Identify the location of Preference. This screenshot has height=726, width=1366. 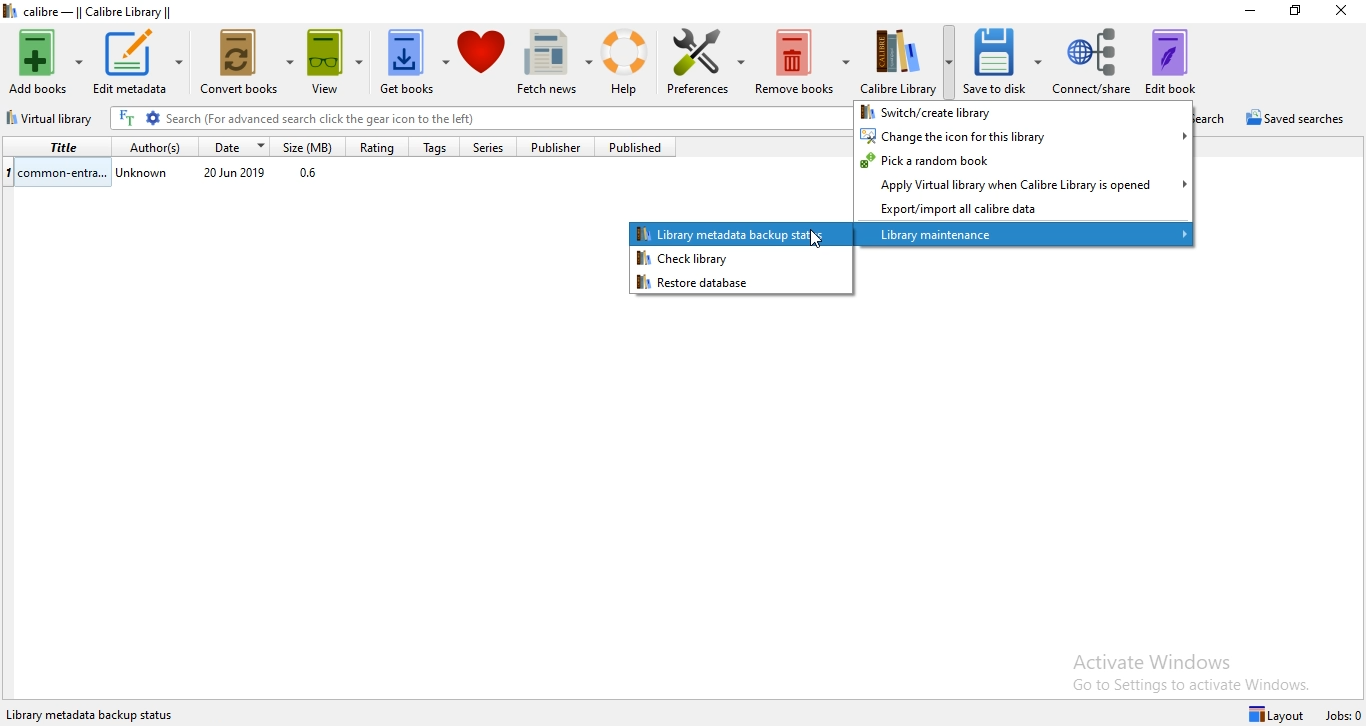
(708, 65).